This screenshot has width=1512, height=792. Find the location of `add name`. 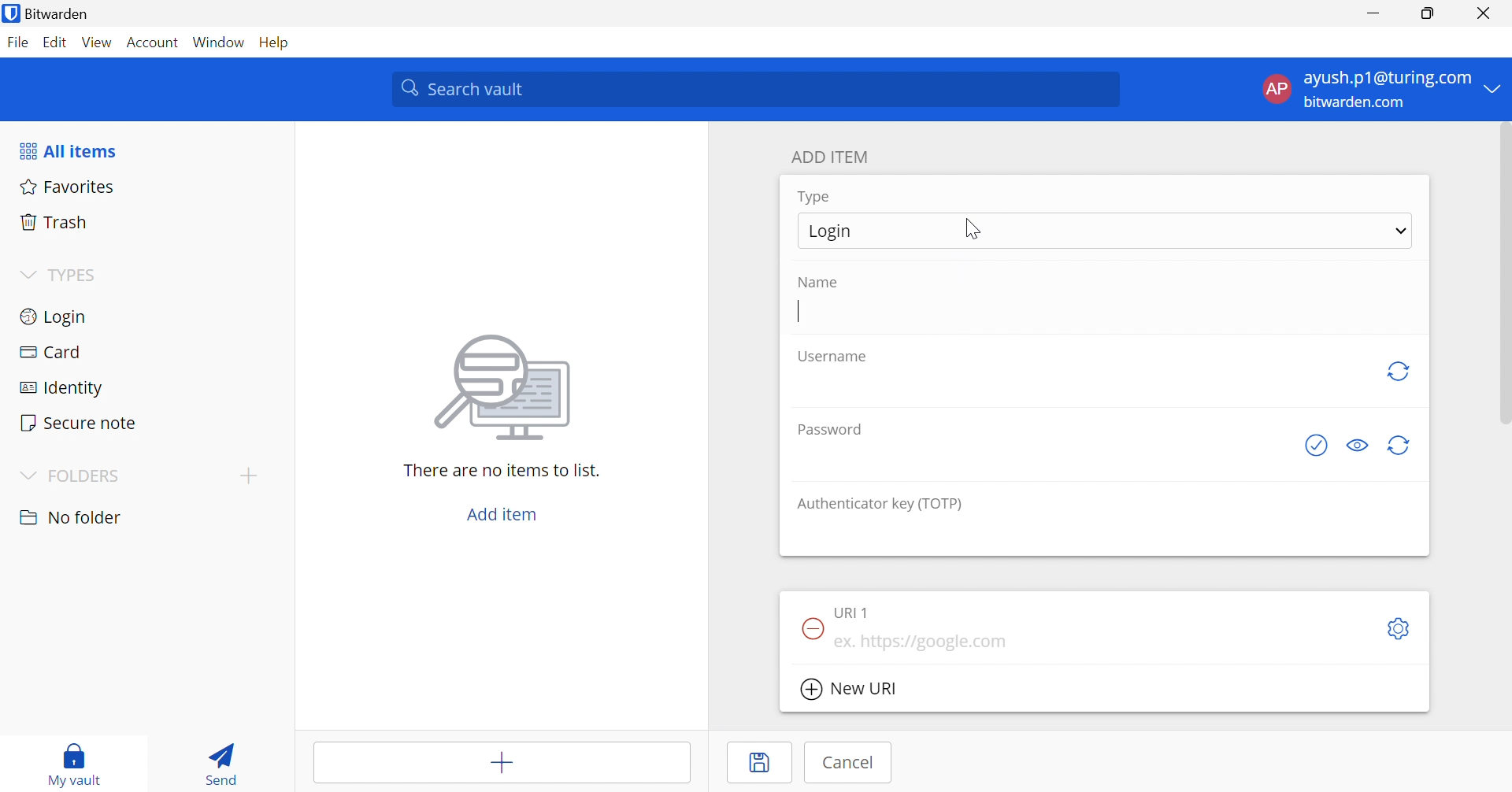

add name is located at coordinates (1102, 315).